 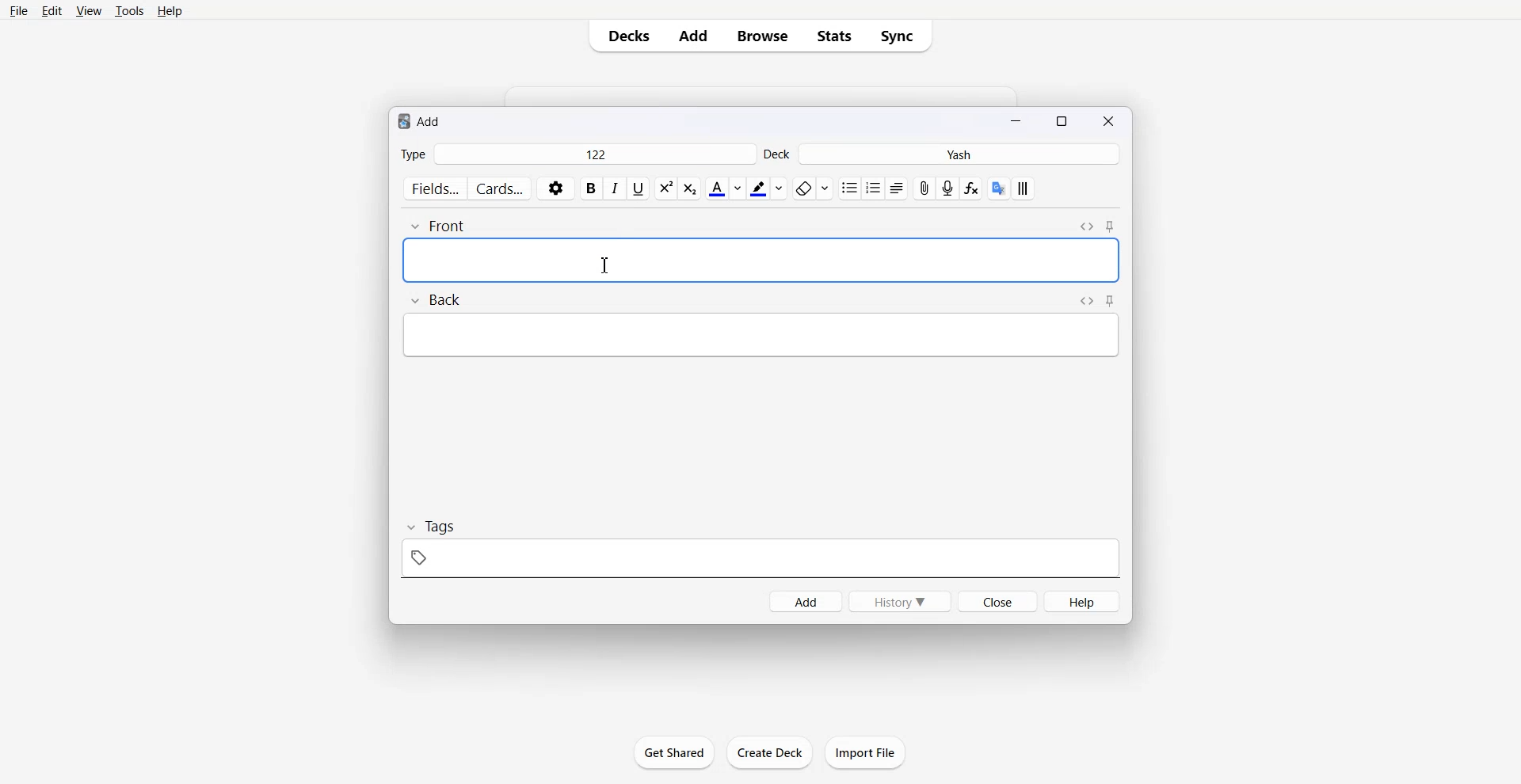 I want to click on Text cursor, so click(x=606, y=265).